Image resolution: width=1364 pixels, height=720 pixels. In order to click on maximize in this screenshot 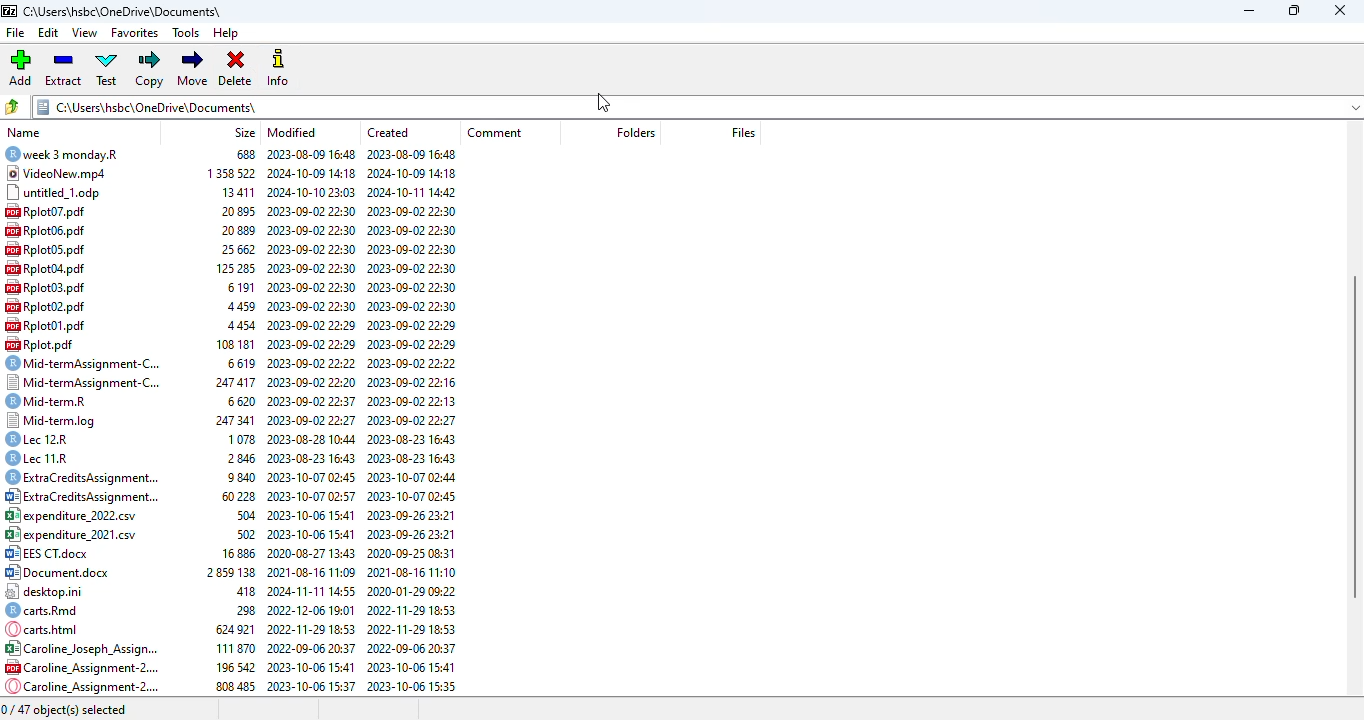, I will do `click(1295, 10)`.